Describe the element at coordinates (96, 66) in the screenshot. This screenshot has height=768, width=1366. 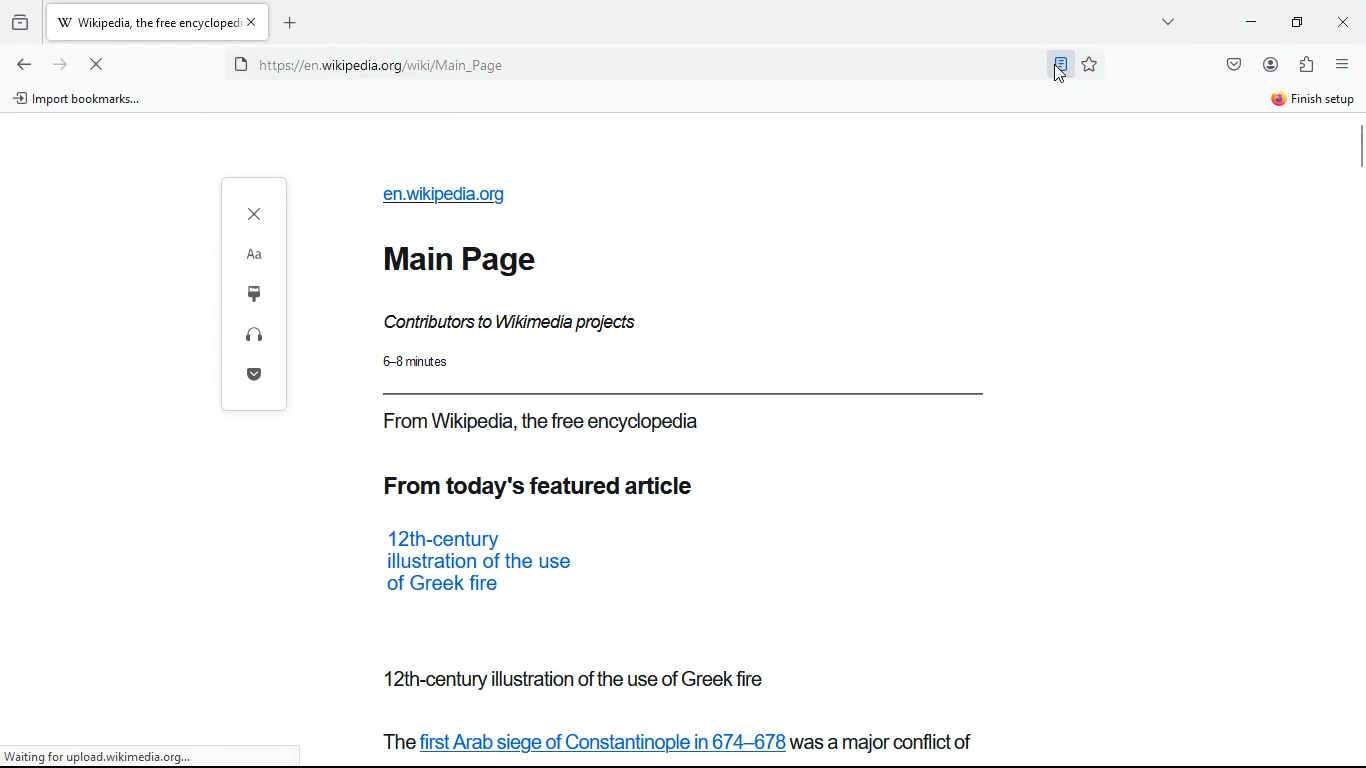
I see `refresh` at that location.